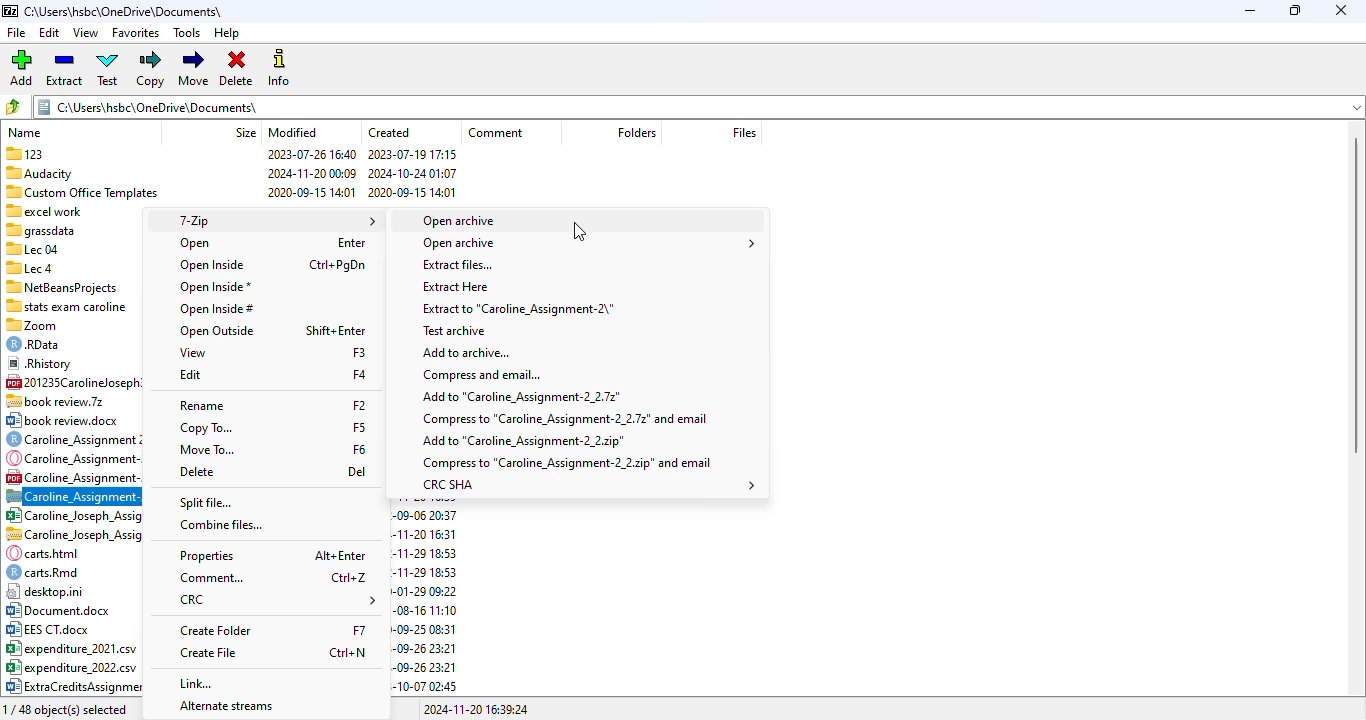  Describe the element at coordinates (206, 450) in the screenshot. I see `move to` at that location.